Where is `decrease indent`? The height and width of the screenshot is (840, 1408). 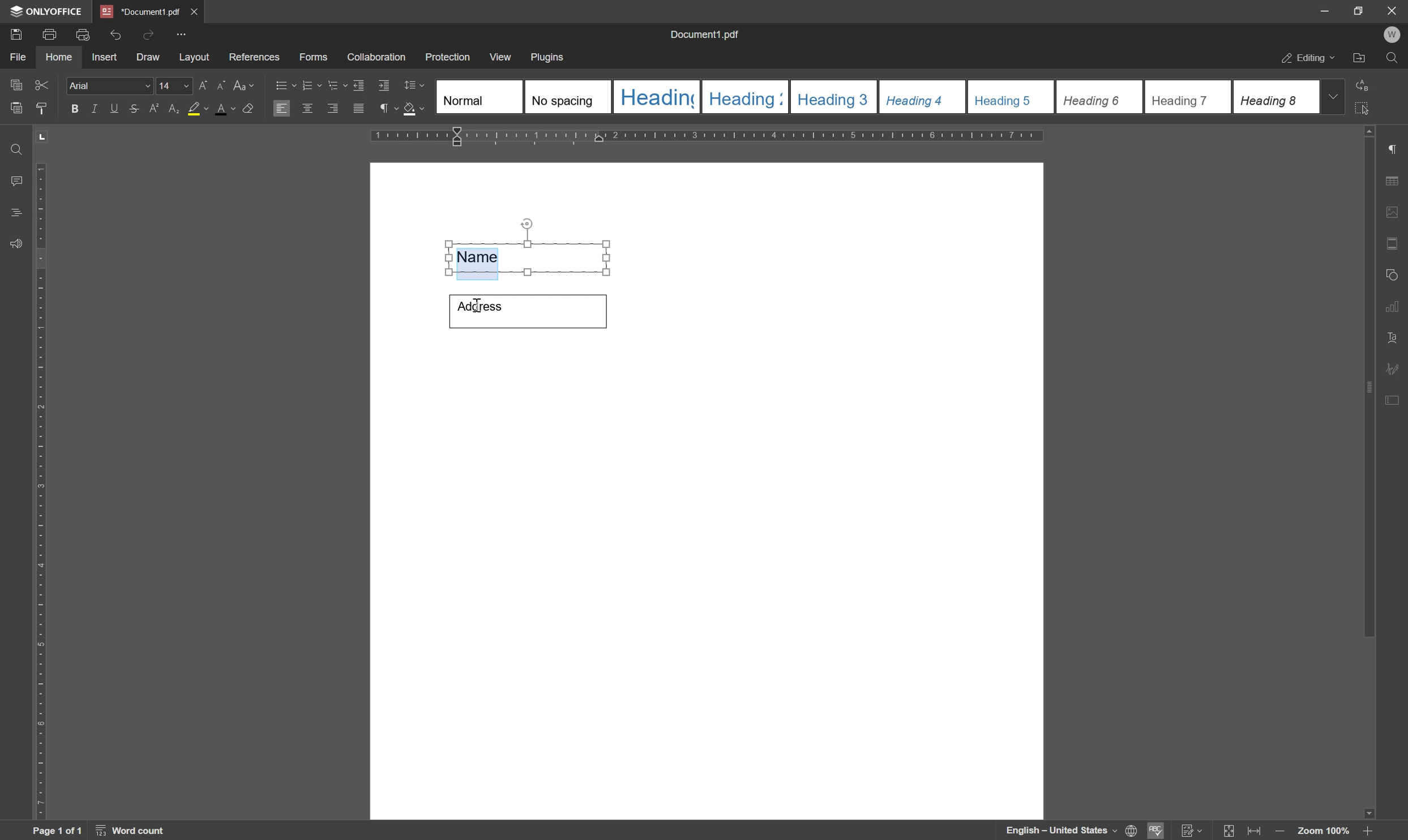 decrease indent is located at coordinates (357, 84).